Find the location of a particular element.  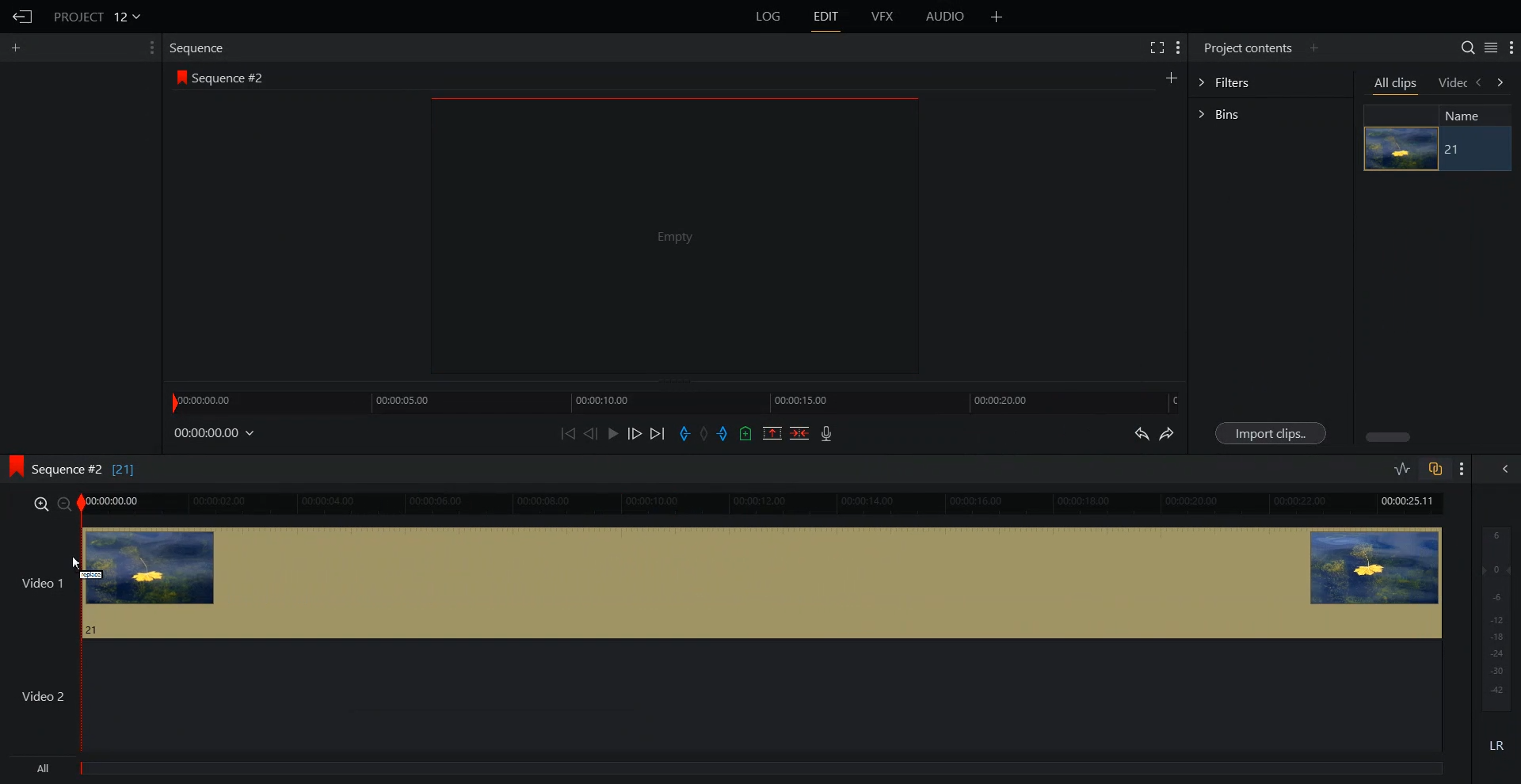

Video 1 is located at coordinates (40, 584).